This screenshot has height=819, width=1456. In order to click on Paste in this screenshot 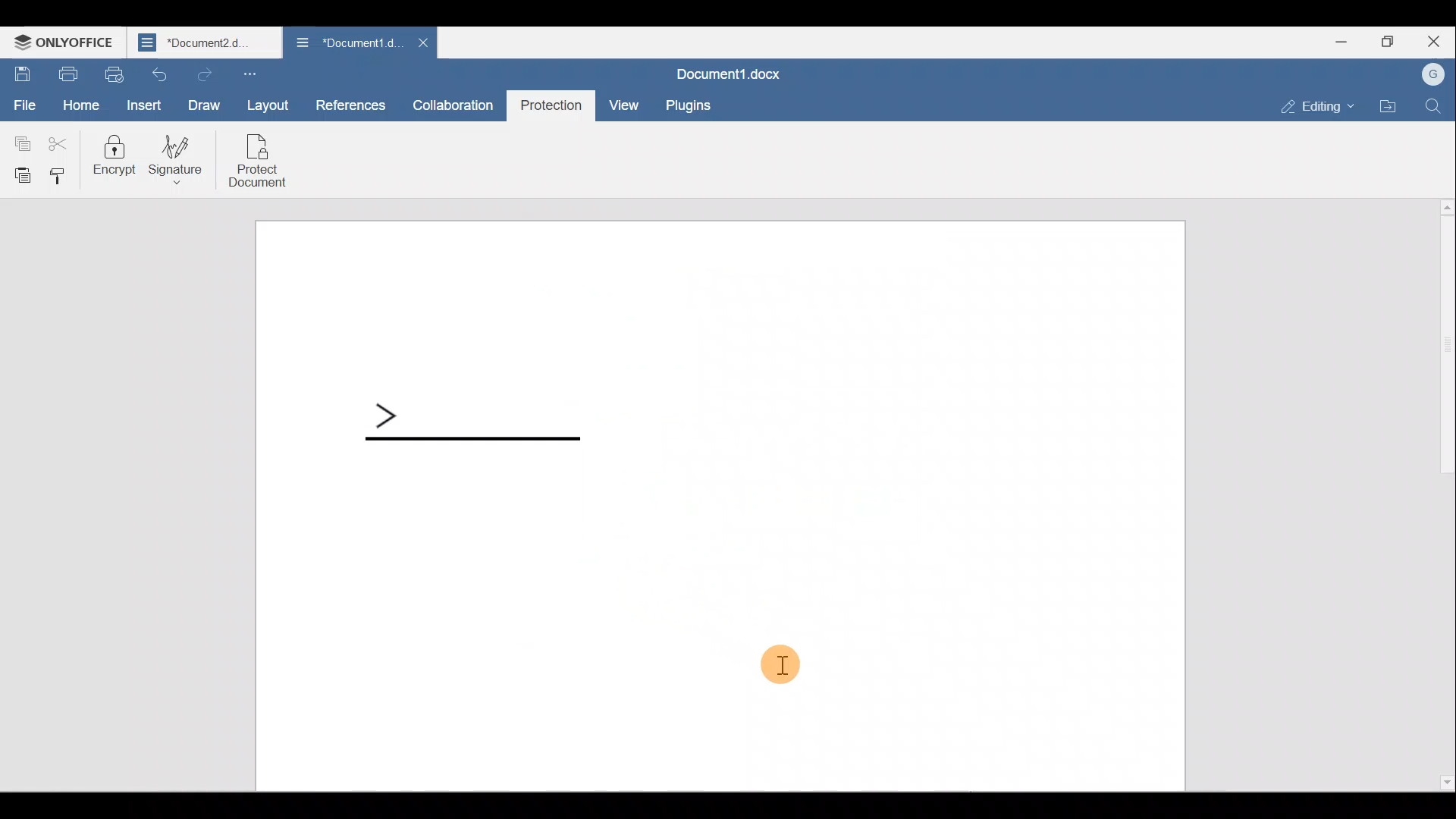, I will do `click(17, 170)`.